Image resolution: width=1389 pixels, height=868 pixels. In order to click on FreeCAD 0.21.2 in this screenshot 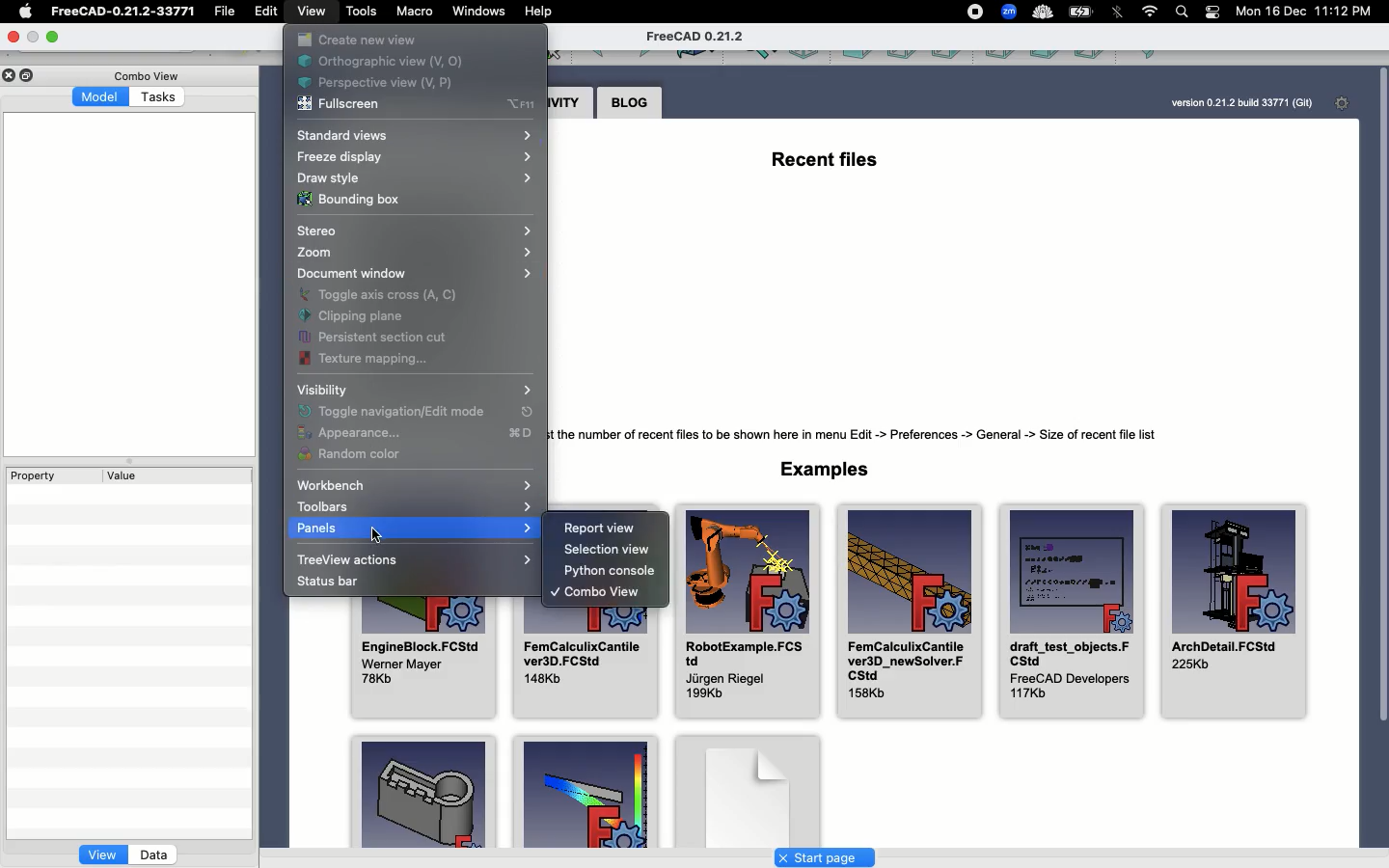, I will do `click(696, 38)`.